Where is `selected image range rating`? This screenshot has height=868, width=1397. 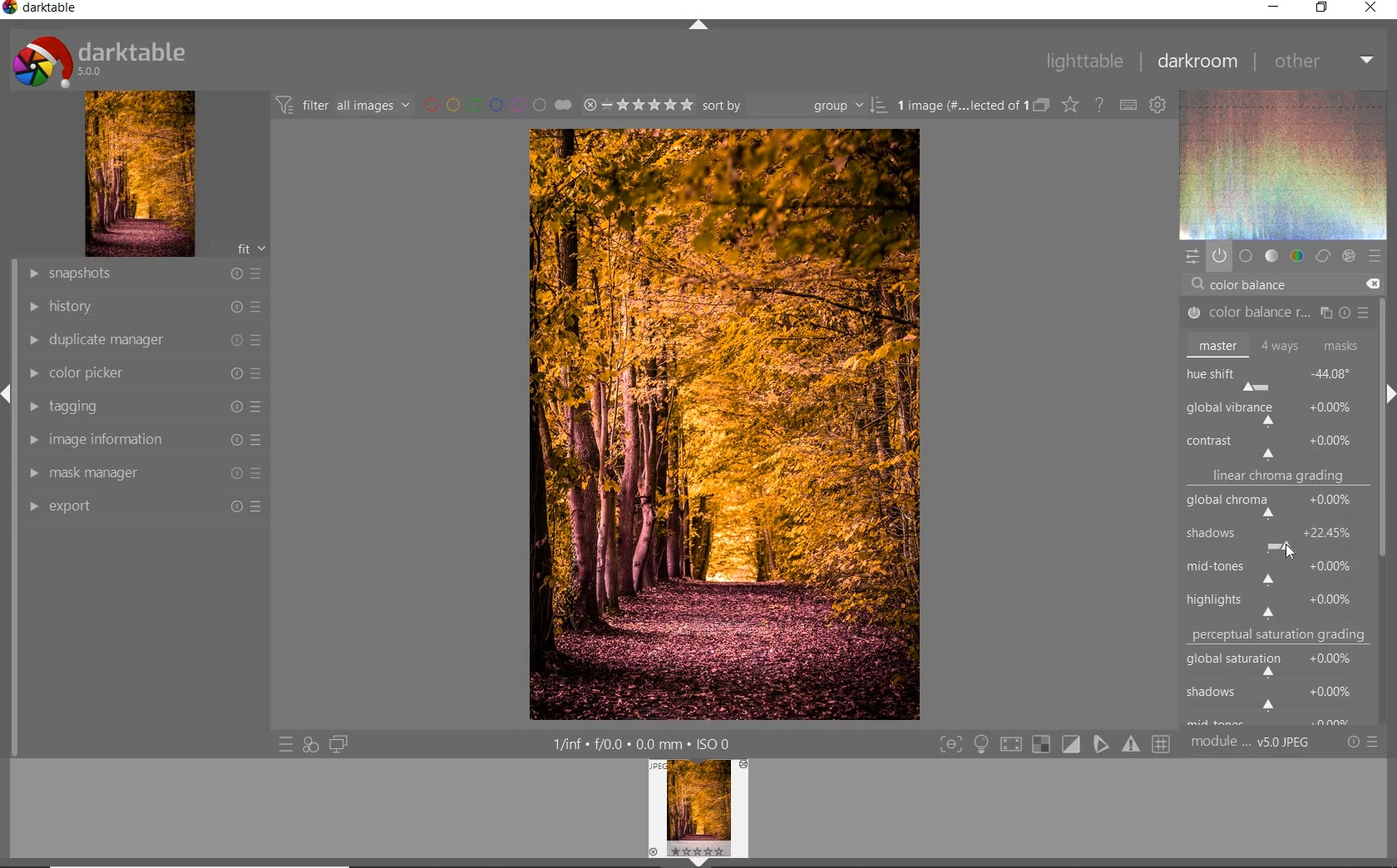 selected image range rating is located at coordinates (638, 106).